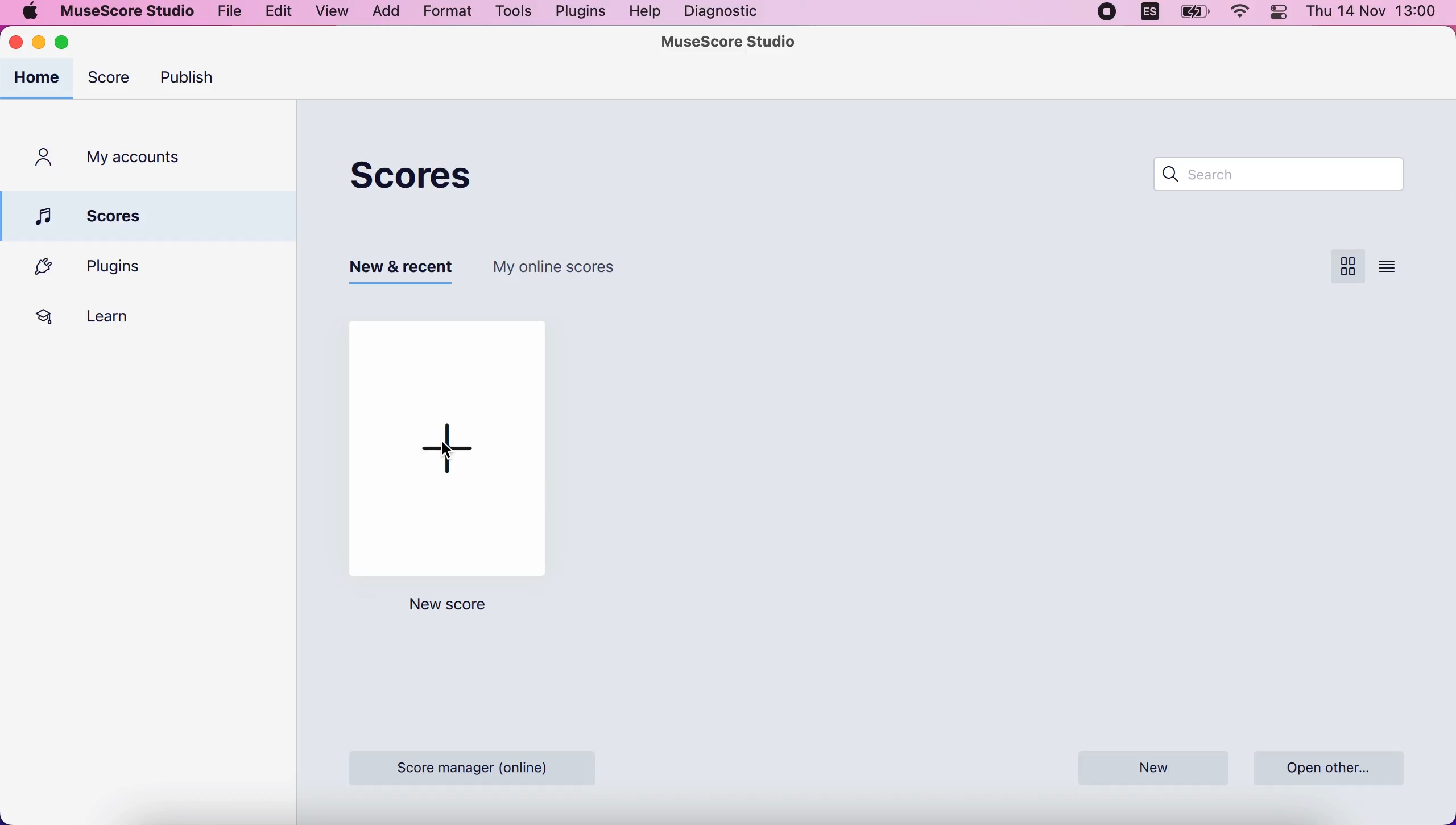  I want to click on close, so click(17, 44).